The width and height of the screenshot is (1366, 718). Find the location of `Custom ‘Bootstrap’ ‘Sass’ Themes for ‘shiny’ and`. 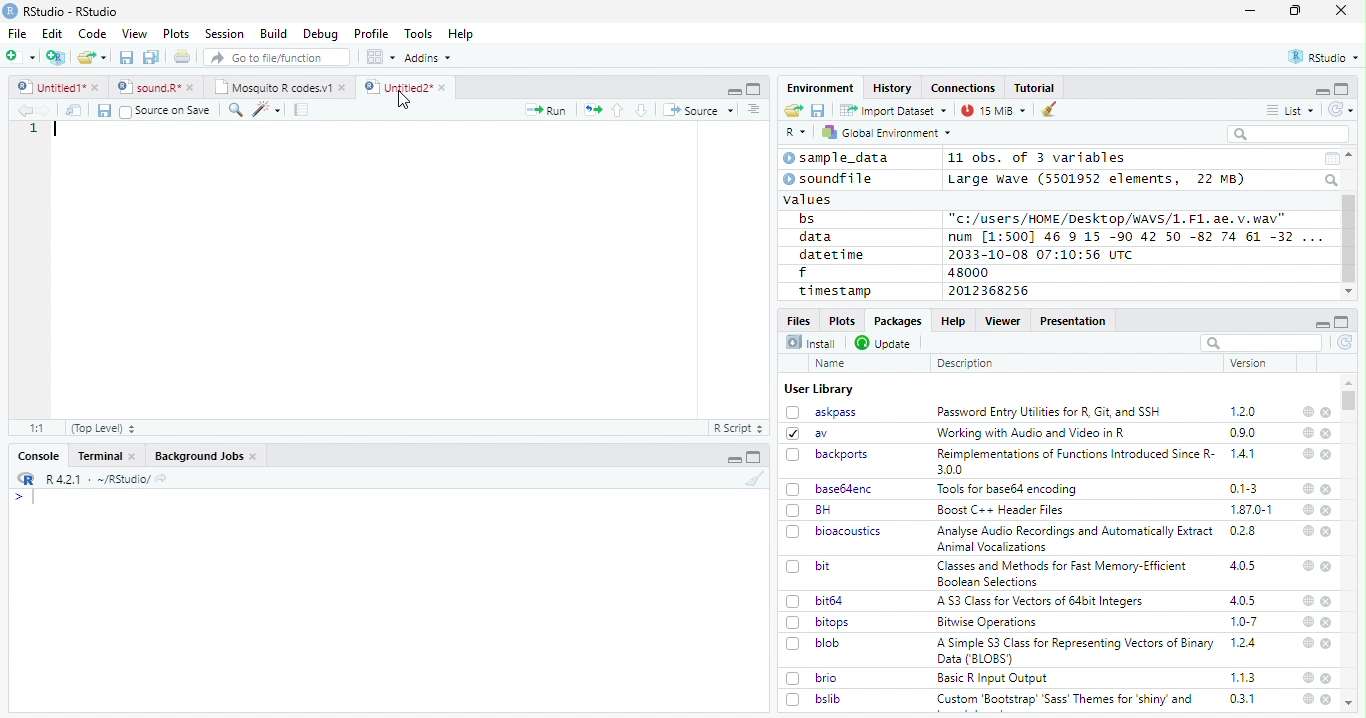

Custom ‘Bootstrap’ ‘Sass’ Themes for ‘shiny’ and is located at coordinates (1065, 702).